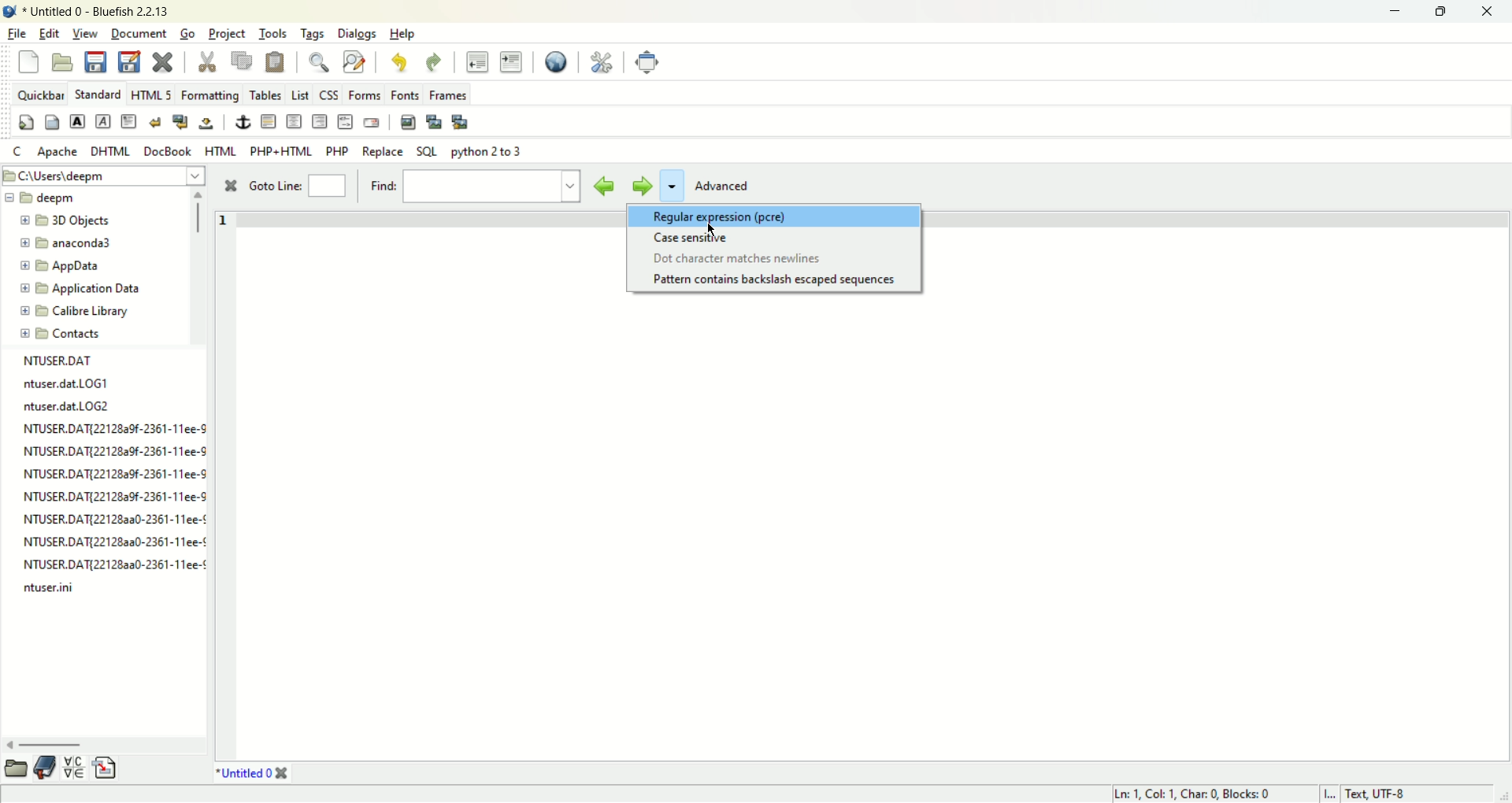  Describe the element at coordinates (460, 122) in the screenshot. I see `multi thumbnail` at that location.